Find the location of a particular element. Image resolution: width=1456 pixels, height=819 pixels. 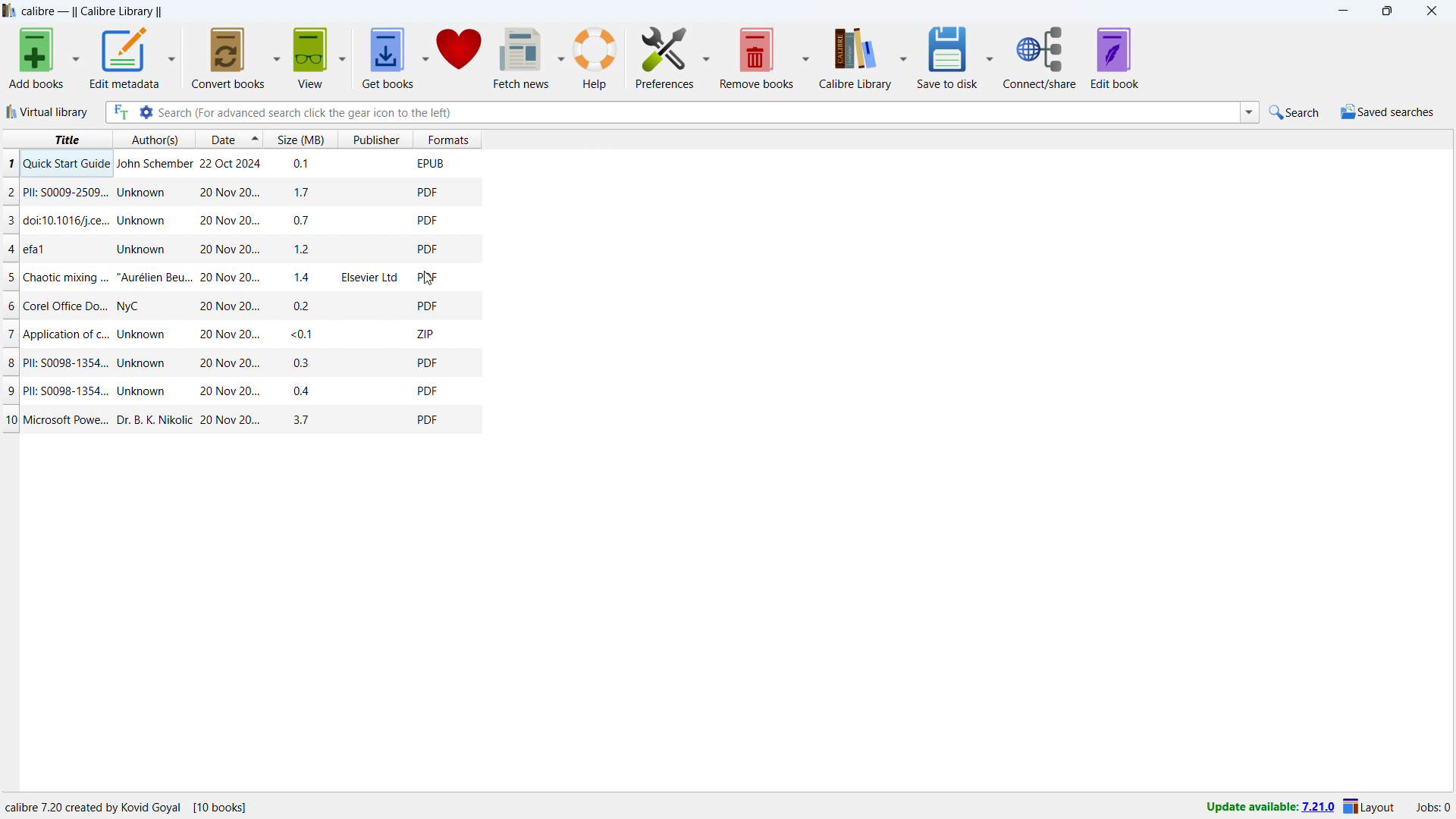

close is located at coordinates (1431, 11).